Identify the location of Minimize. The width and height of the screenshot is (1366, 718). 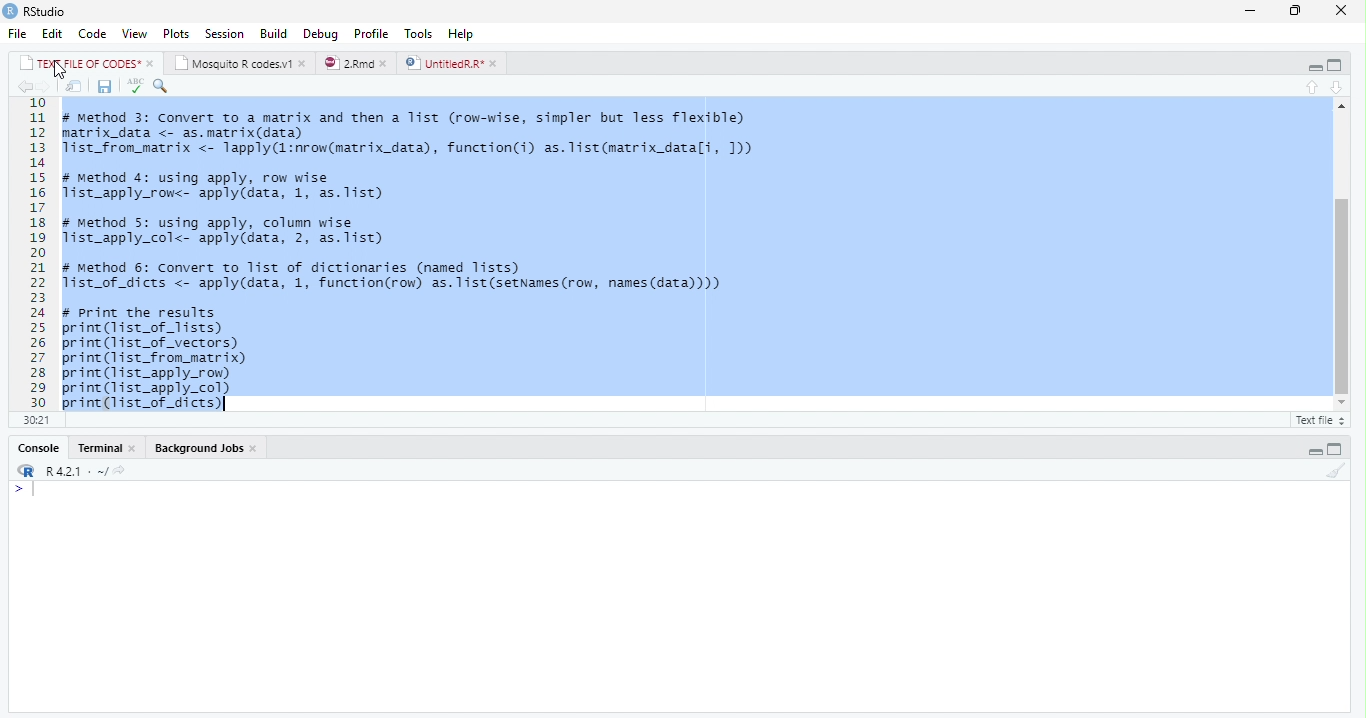
(1251, 10).